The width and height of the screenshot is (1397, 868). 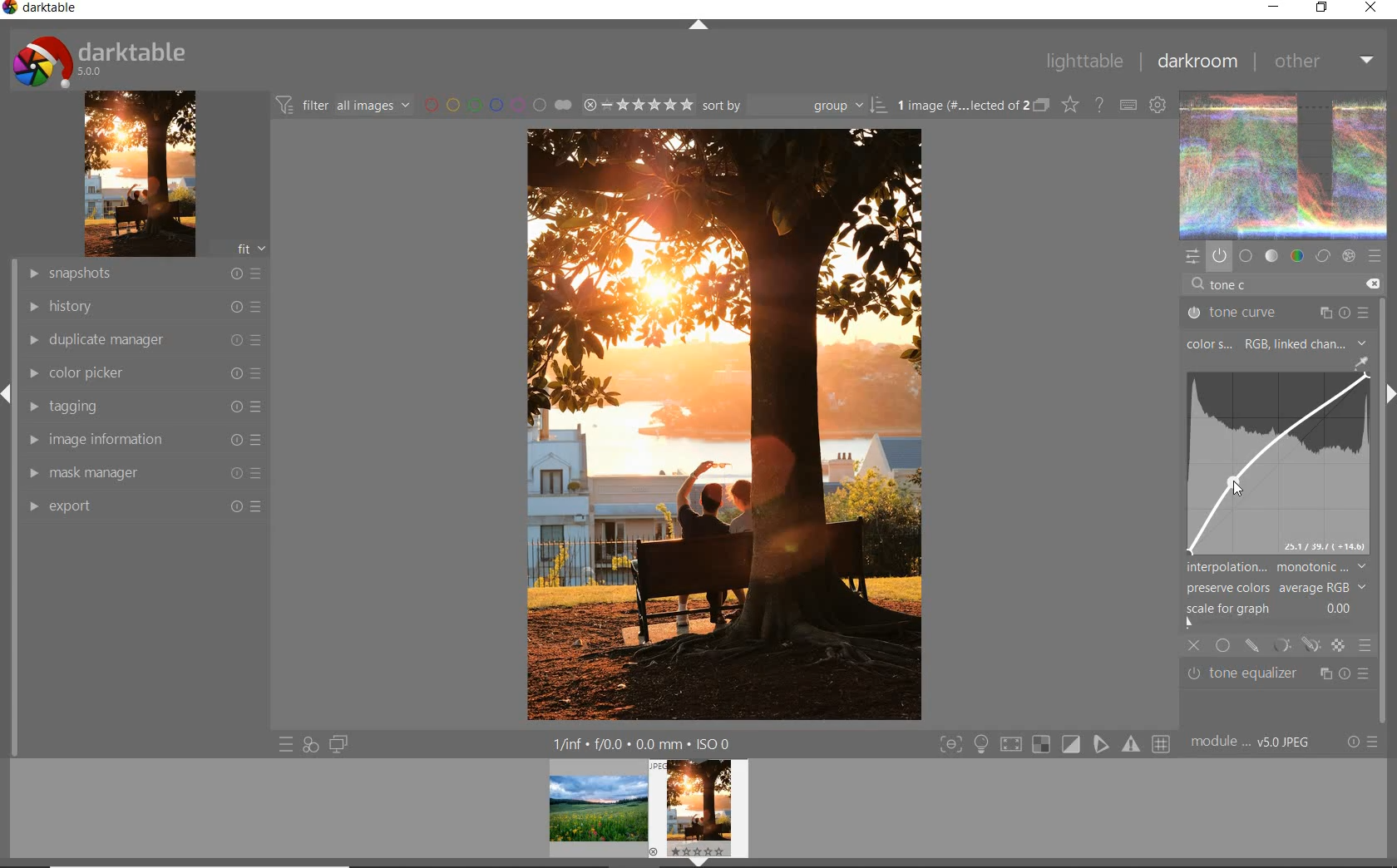 What do you see at coordinates (345, 106) in the screenshot?
I see `filter all images` at bounding box center [345, 106].